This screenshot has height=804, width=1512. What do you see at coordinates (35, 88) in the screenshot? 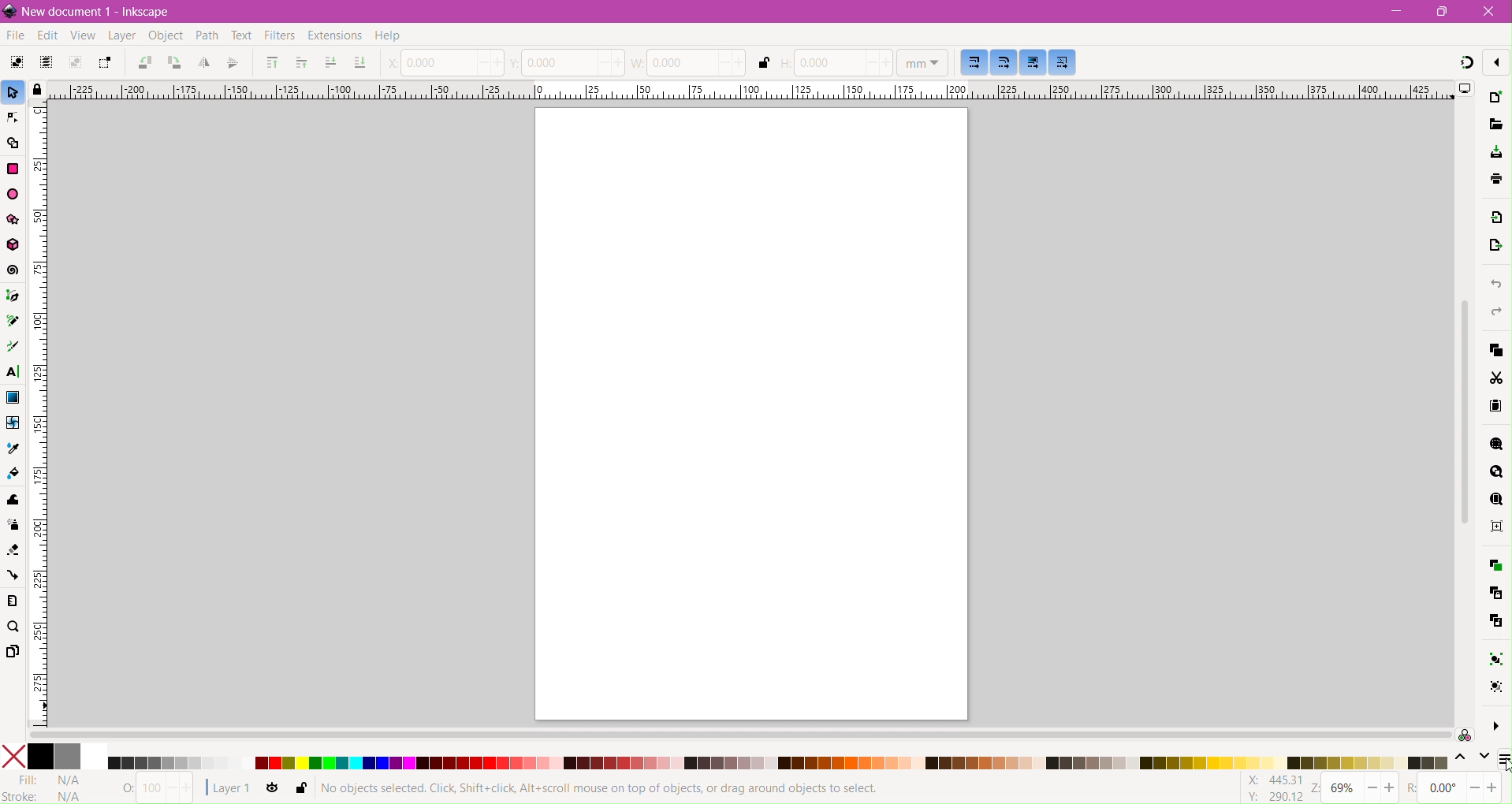
I see `Toggle lock of all guides in the document` at bounding box center [35, 88].